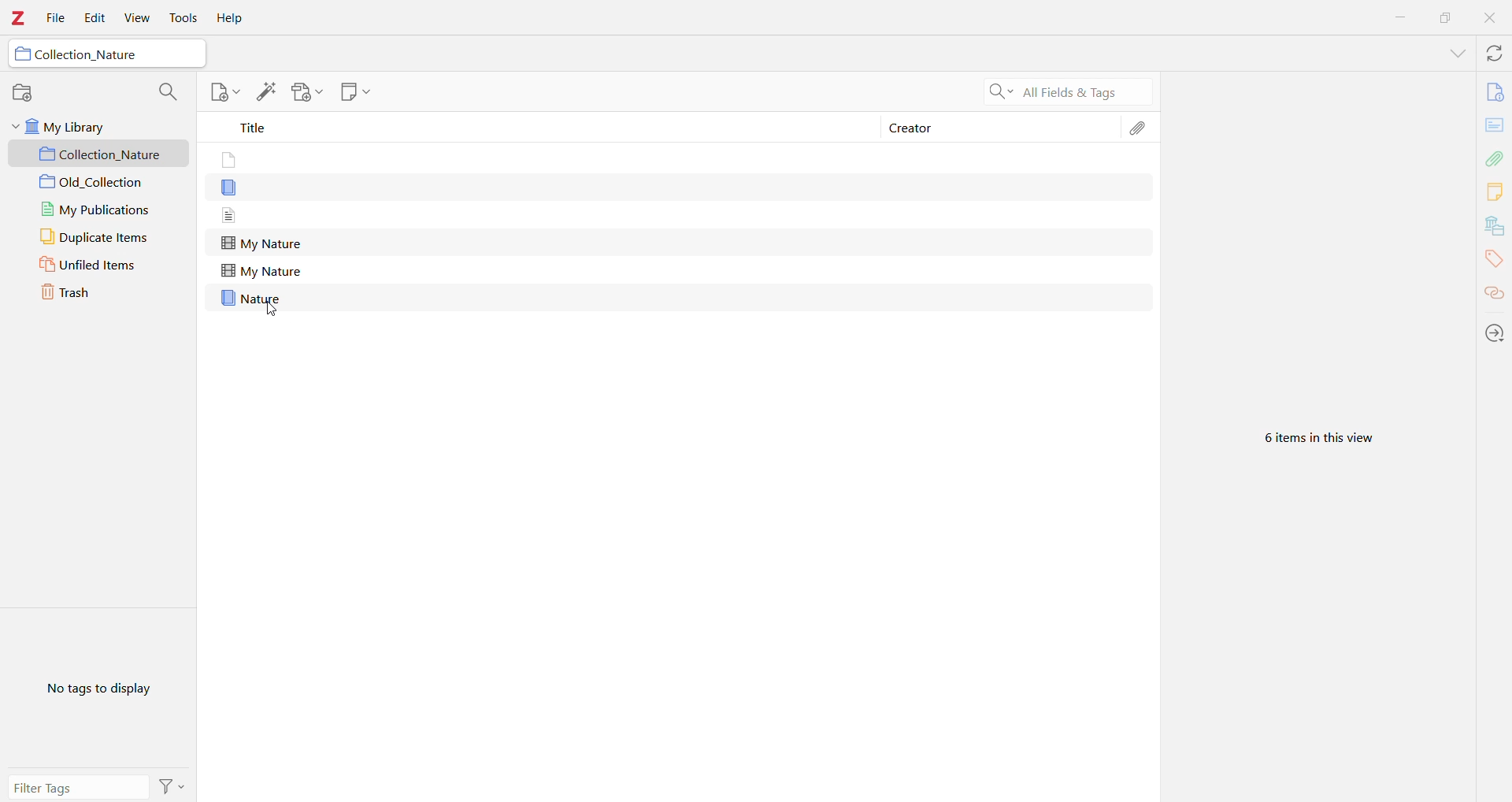 Image resolution: width=1512 pixels, height=802 pixels. What do you see at coordinates (1002, 126) in the screenshot?
I see `Creator` at bounding box center [1002, 126].